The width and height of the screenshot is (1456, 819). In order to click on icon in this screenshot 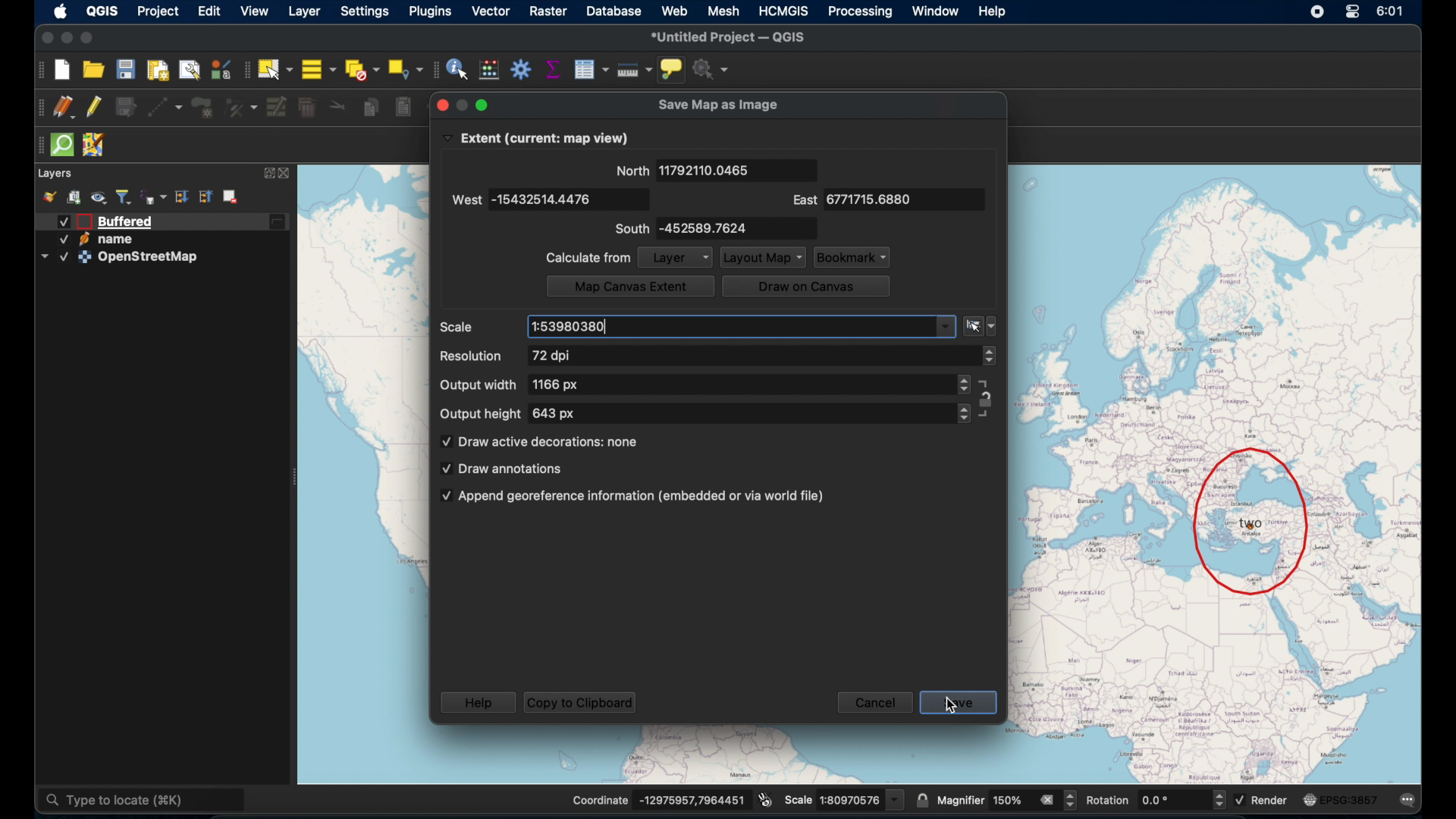, I will do `click(83, 240)`.